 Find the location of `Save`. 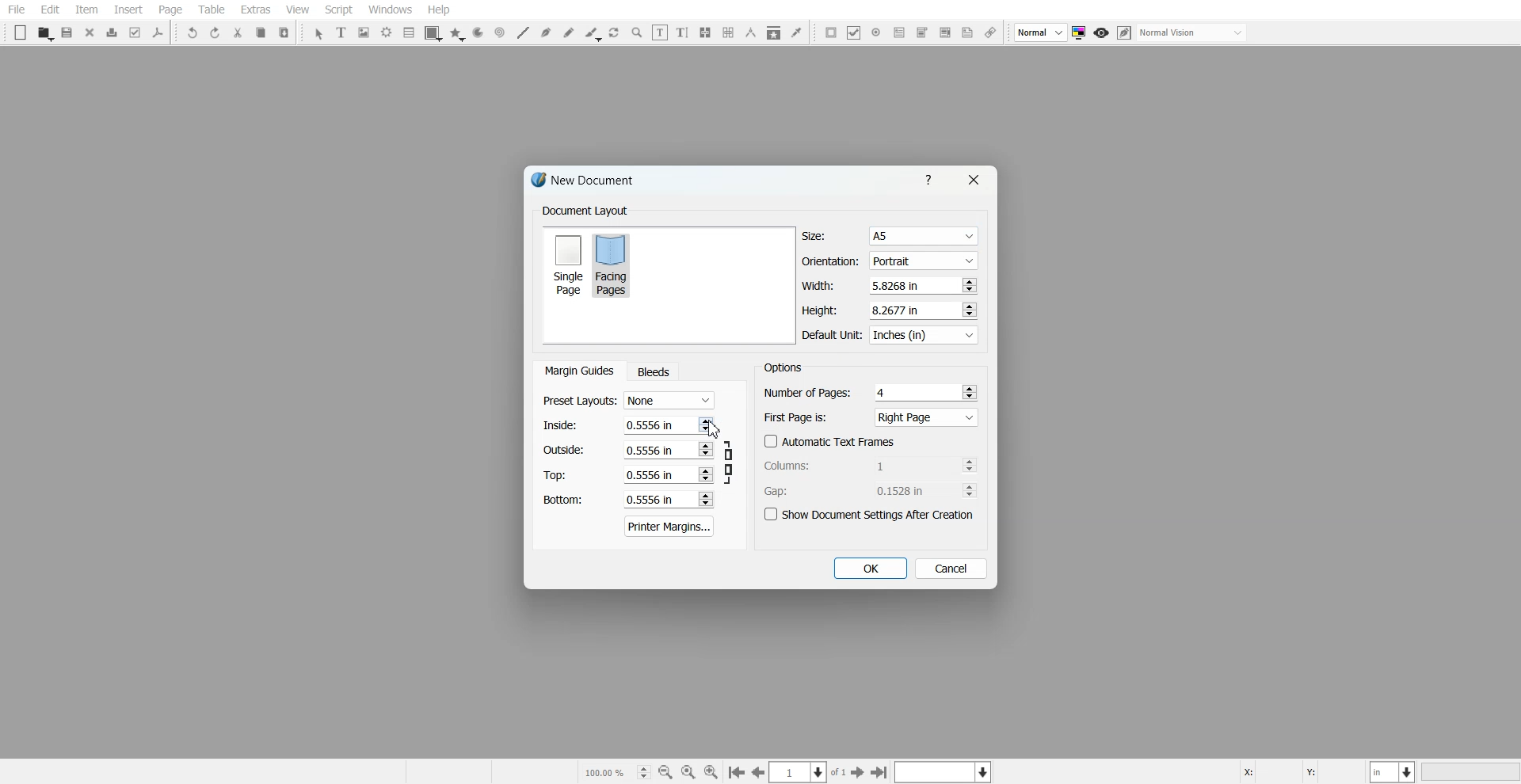

Save is located at coordinates (68, 32).